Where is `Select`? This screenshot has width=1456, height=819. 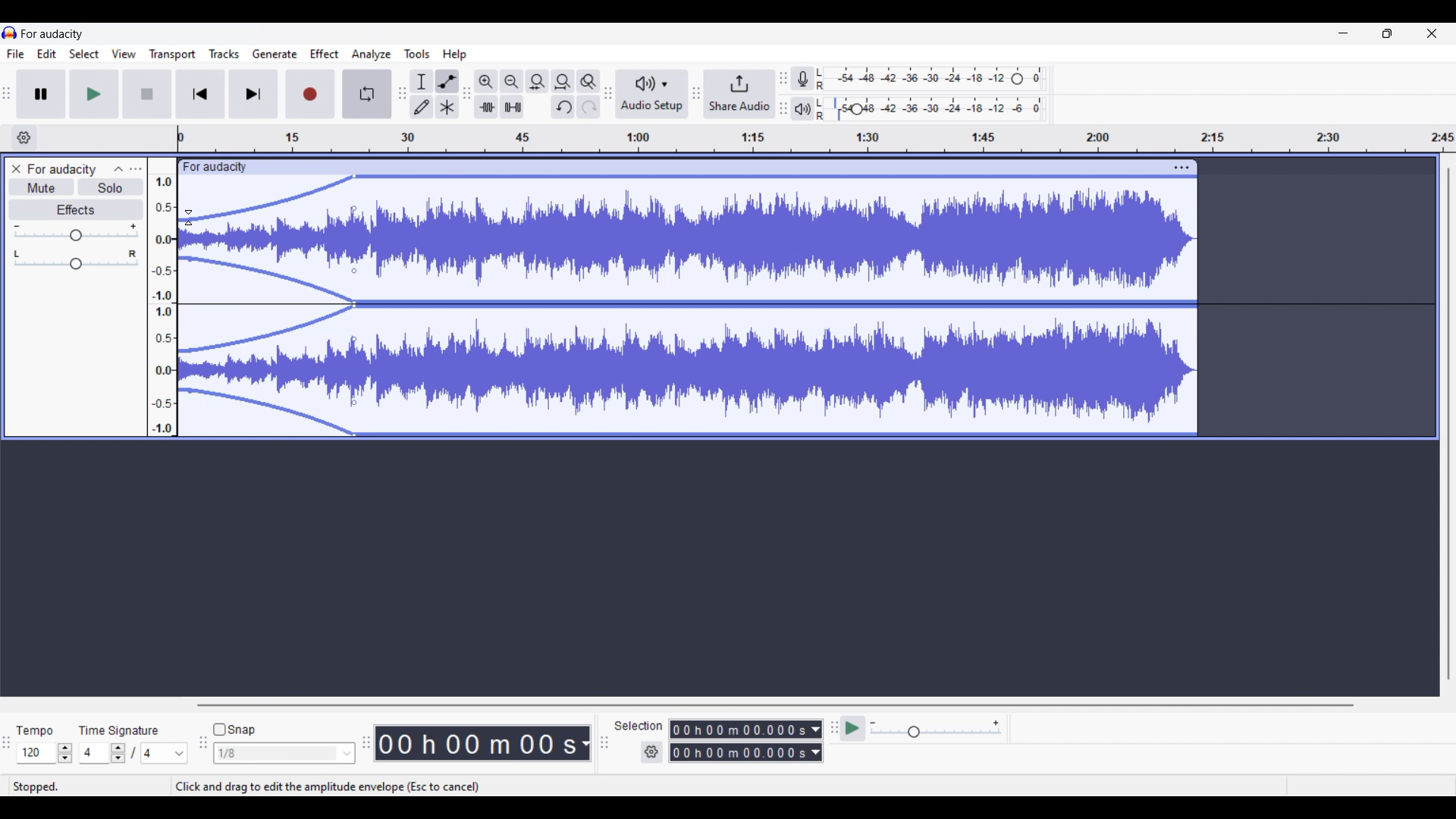
Select is located at coordinates (84, 54).